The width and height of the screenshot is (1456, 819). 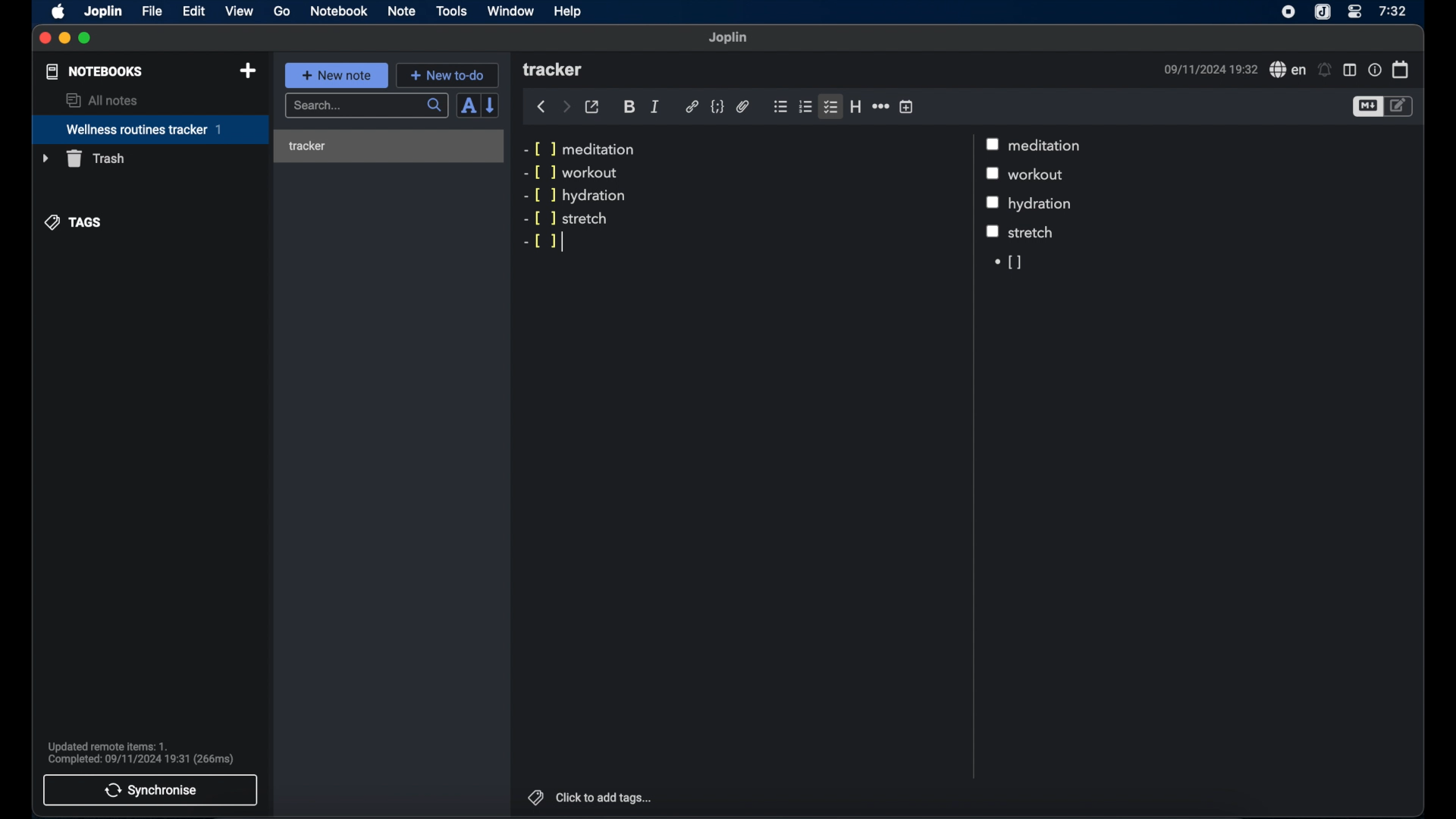 I want to click on click to add tags, so click(x=605, y=797).